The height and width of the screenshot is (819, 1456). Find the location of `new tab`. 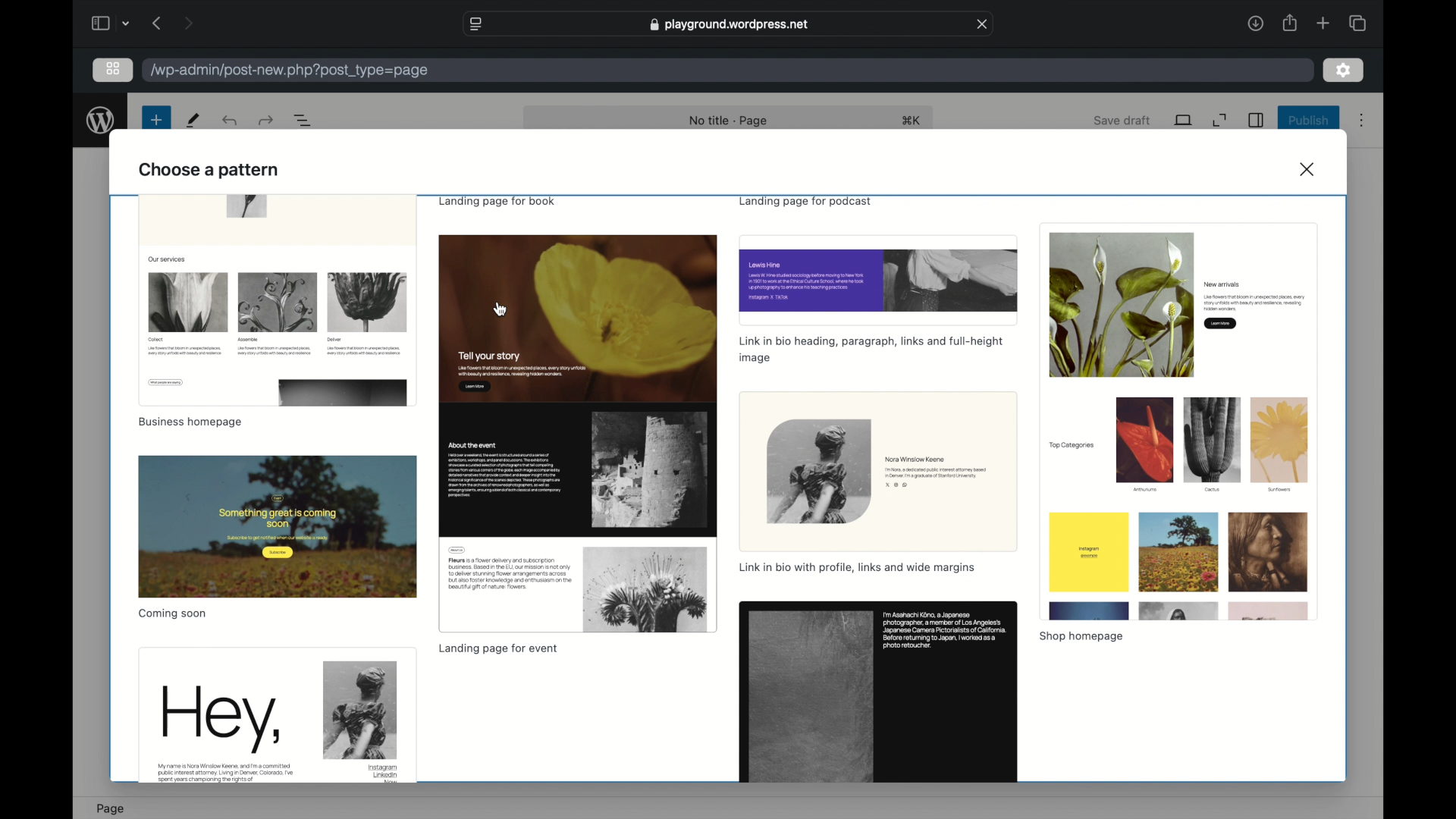

new tab is located at coordinates (1323, 23).